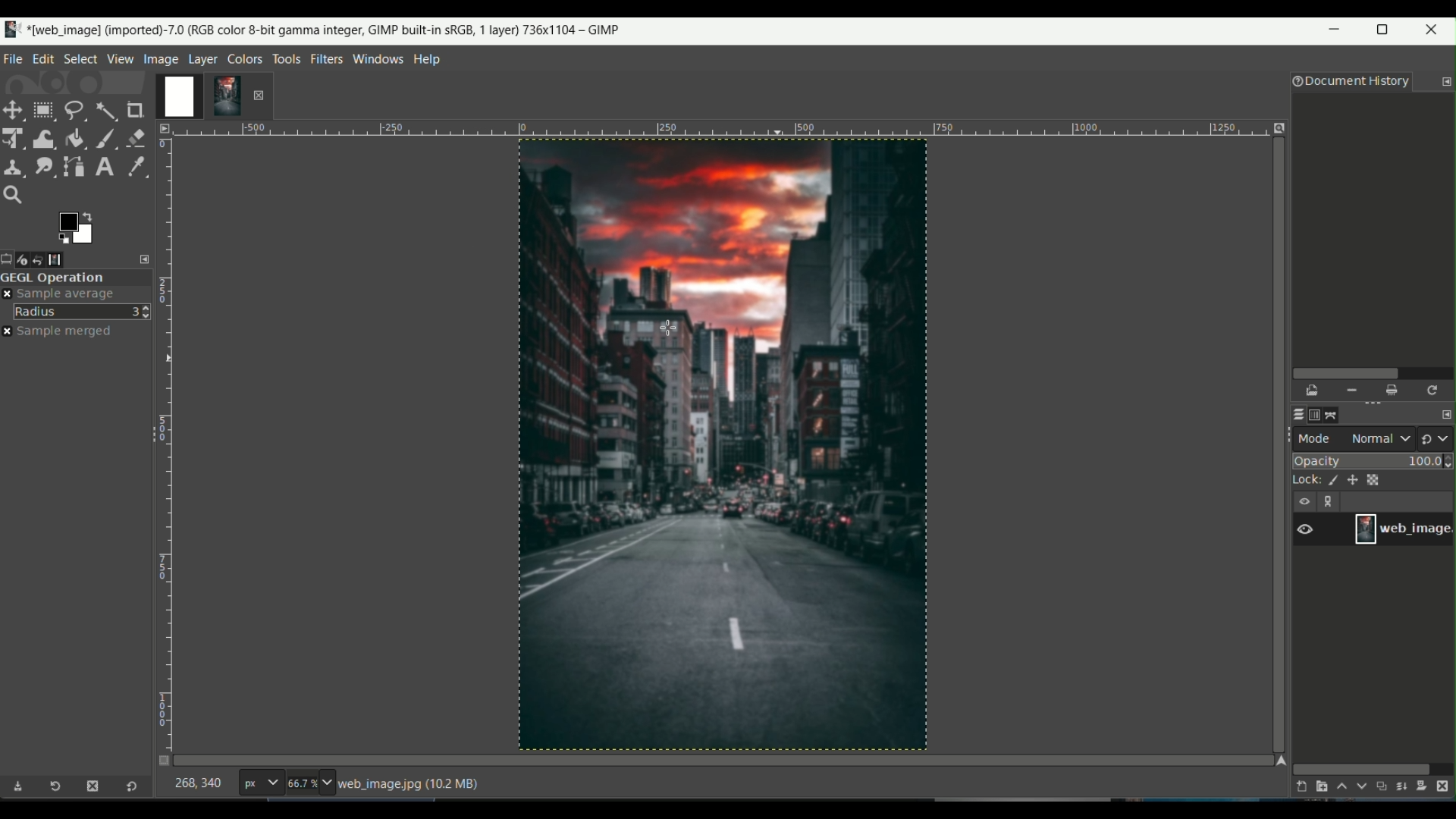  What do you see at coordinates (1336, 413) in the screenshot?
I see `paths` at bounding box center [1336, 413].